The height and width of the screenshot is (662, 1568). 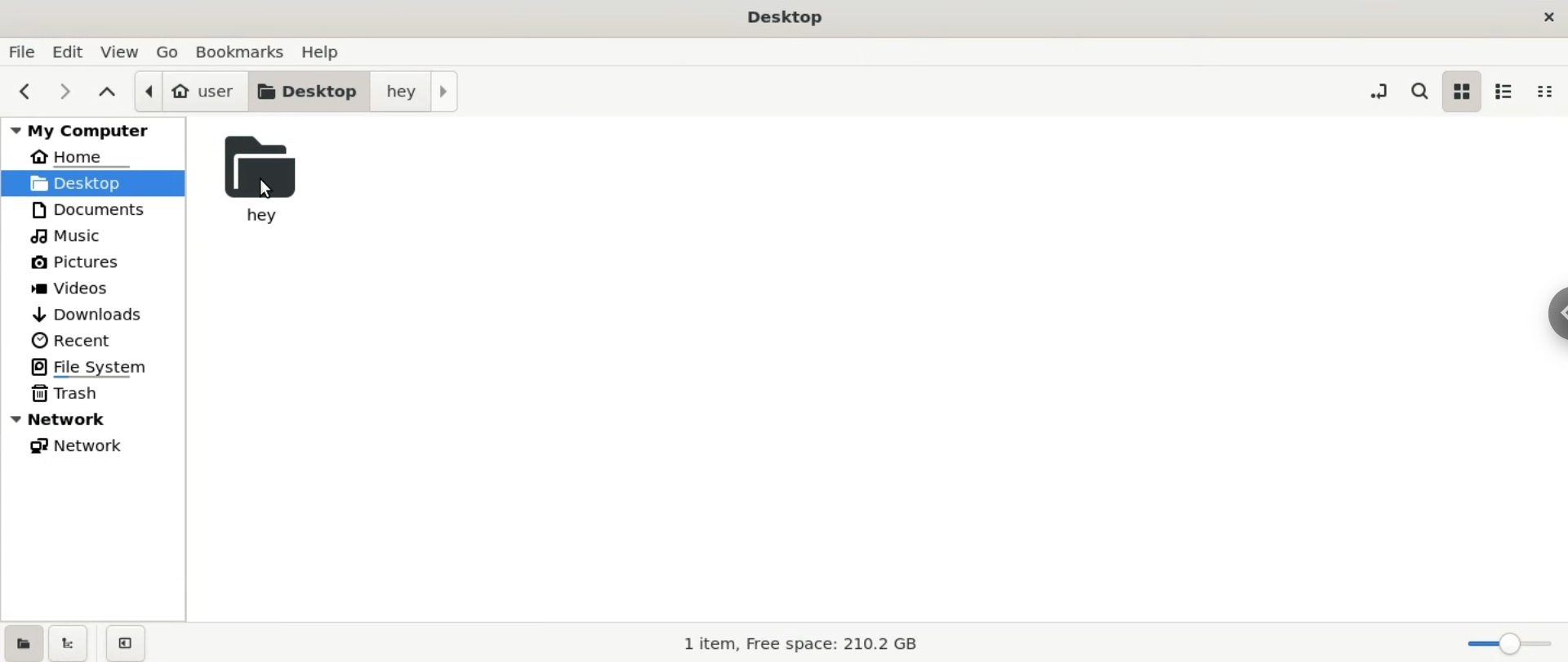 What do you see at coordinates (796, 644) in the screenshot?
I see `1 item, free space: 210.2 GB` at bounding box center [796, 644].